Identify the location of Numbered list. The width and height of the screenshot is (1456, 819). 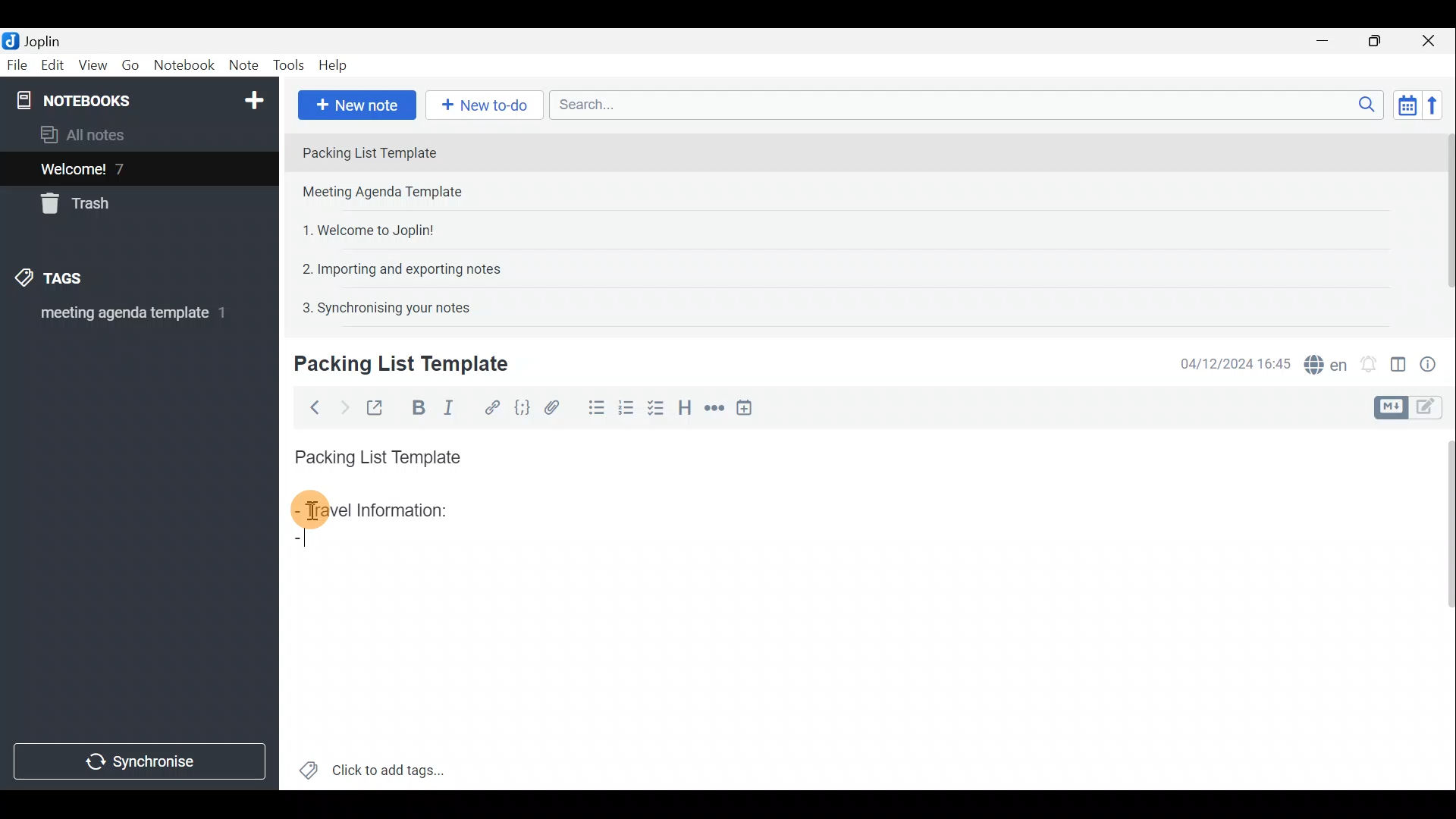
(630, 412).